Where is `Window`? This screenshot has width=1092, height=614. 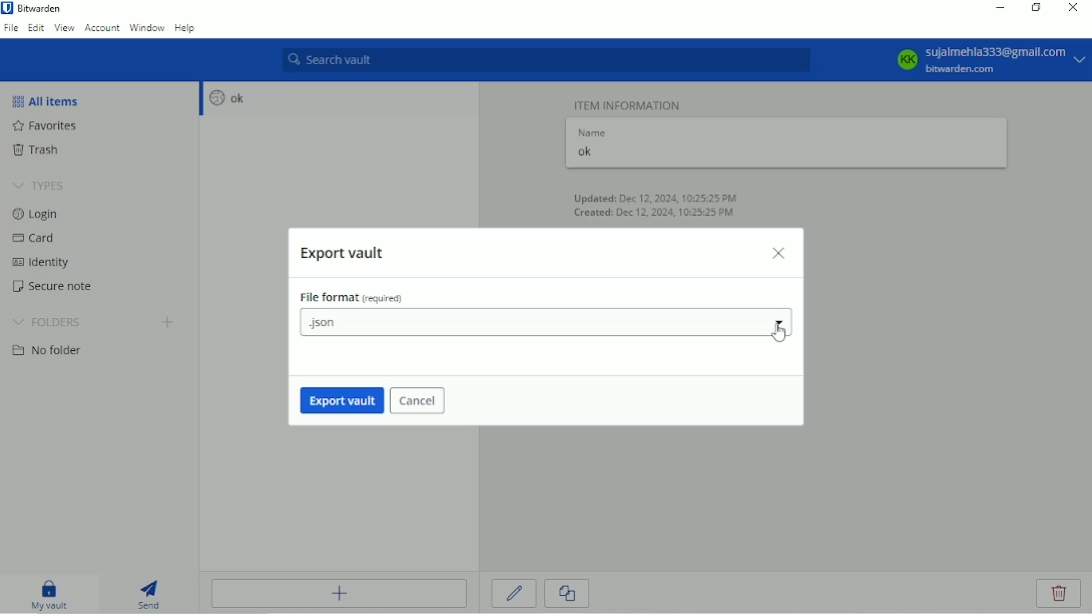
Window is located at coordinates (147, 27).